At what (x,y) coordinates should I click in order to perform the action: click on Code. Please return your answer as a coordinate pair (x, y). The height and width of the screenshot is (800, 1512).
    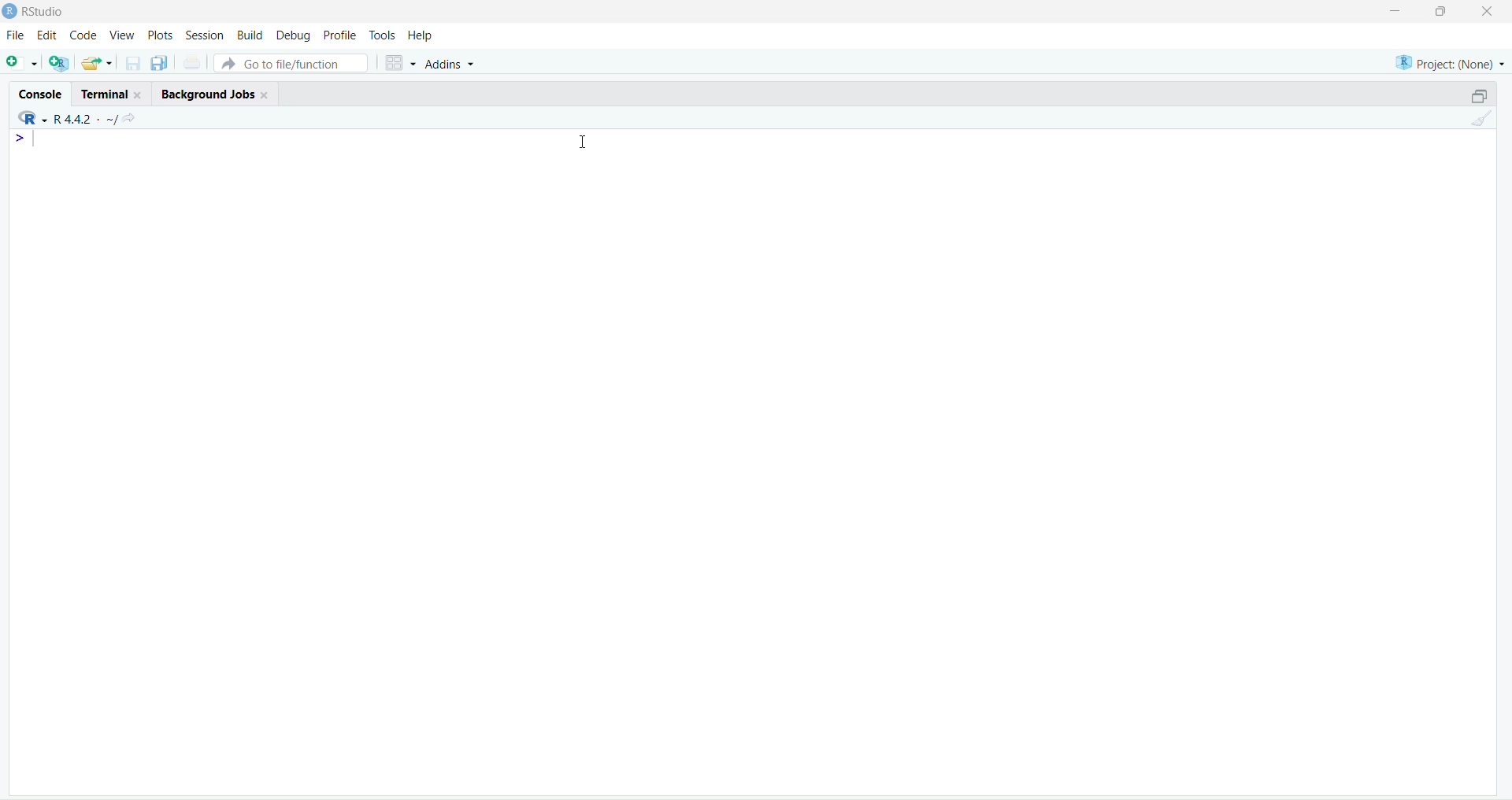
    Looking at the image, I should click on (83, 35).